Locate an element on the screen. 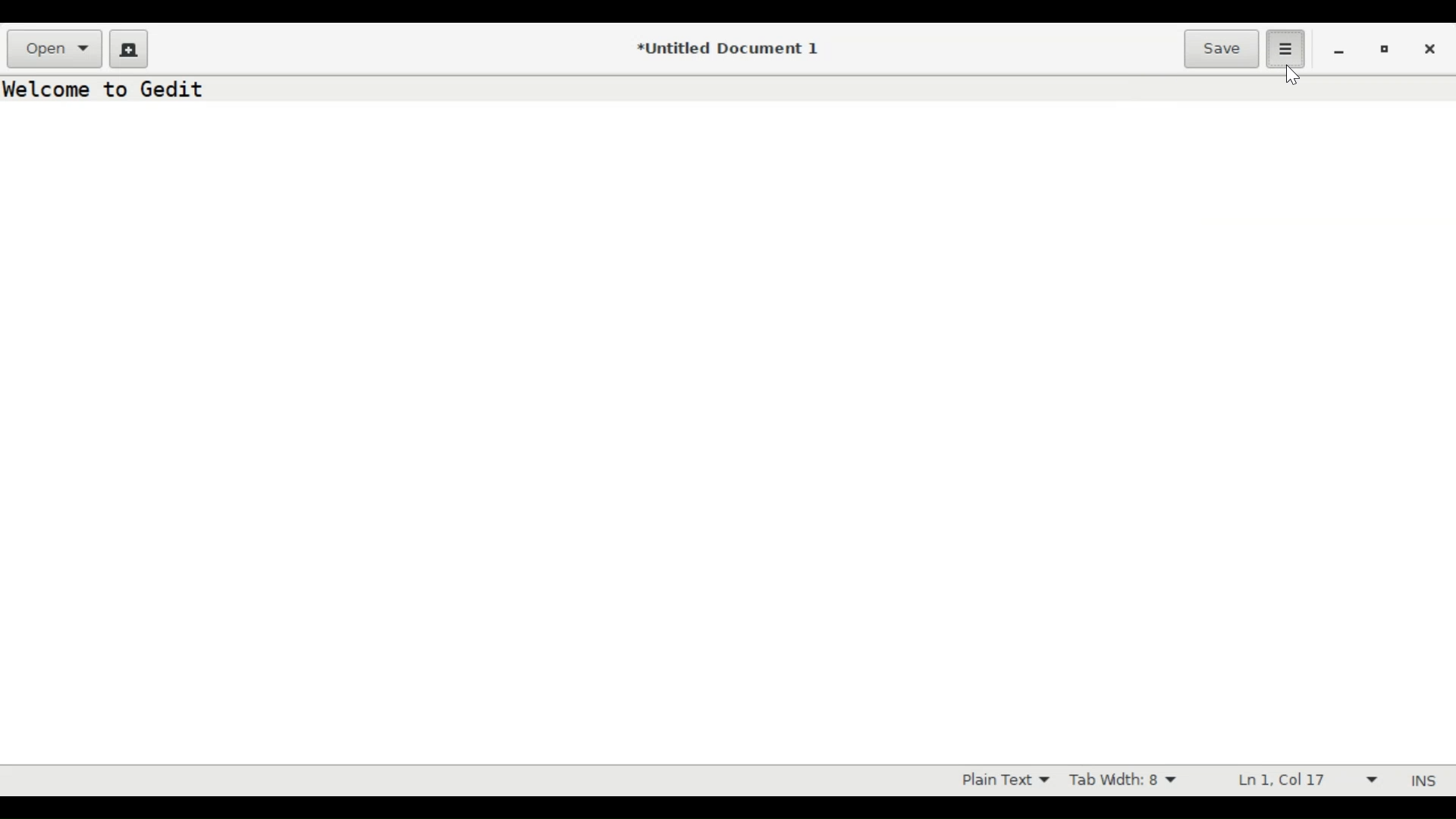 Image resolution: width=1456 pixels, height=819 pixels. Line and Column Preference is located at coordinates (1302, 781).